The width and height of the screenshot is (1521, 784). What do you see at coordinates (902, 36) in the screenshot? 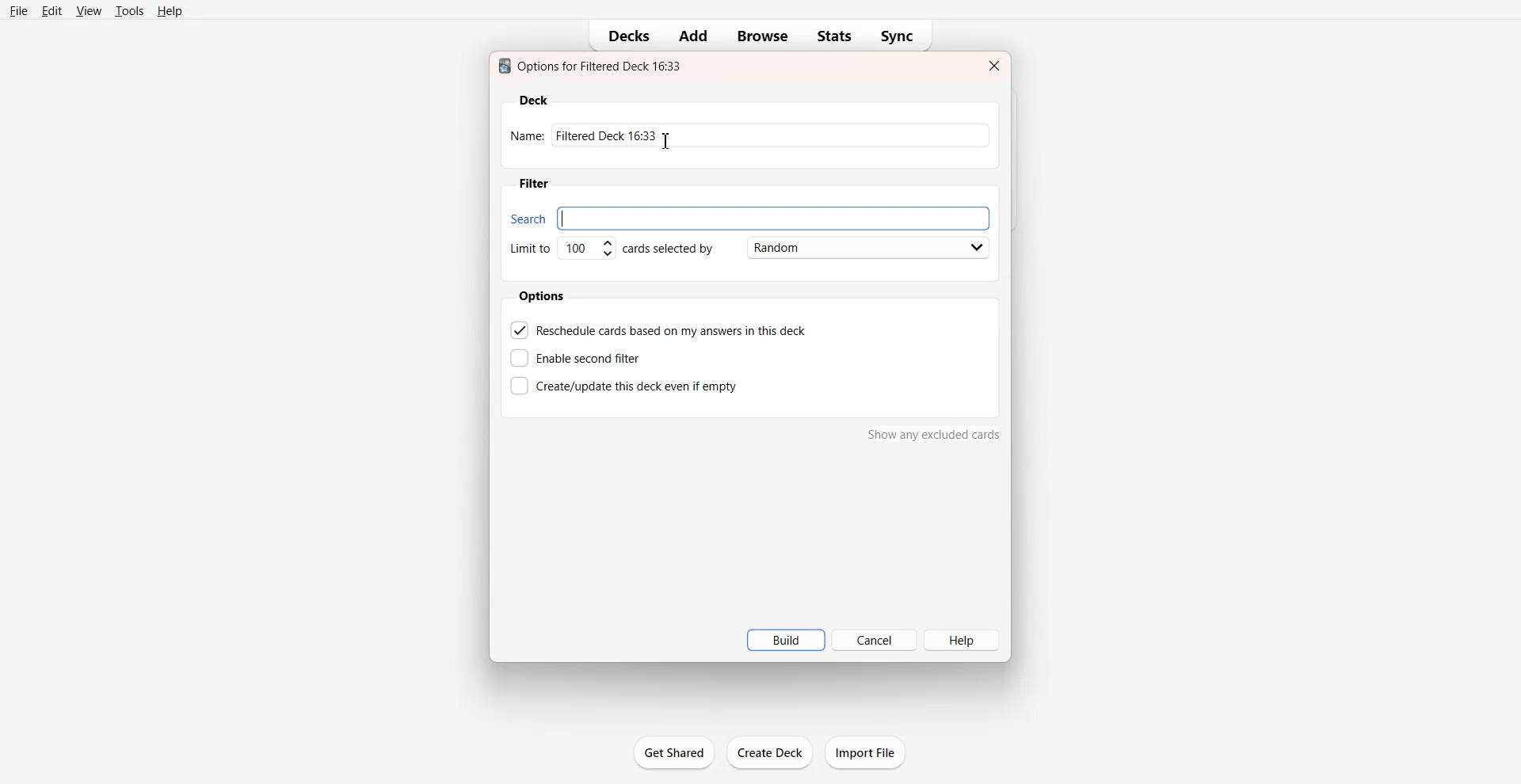
I see `Sync` at bounding box center [902, 36].